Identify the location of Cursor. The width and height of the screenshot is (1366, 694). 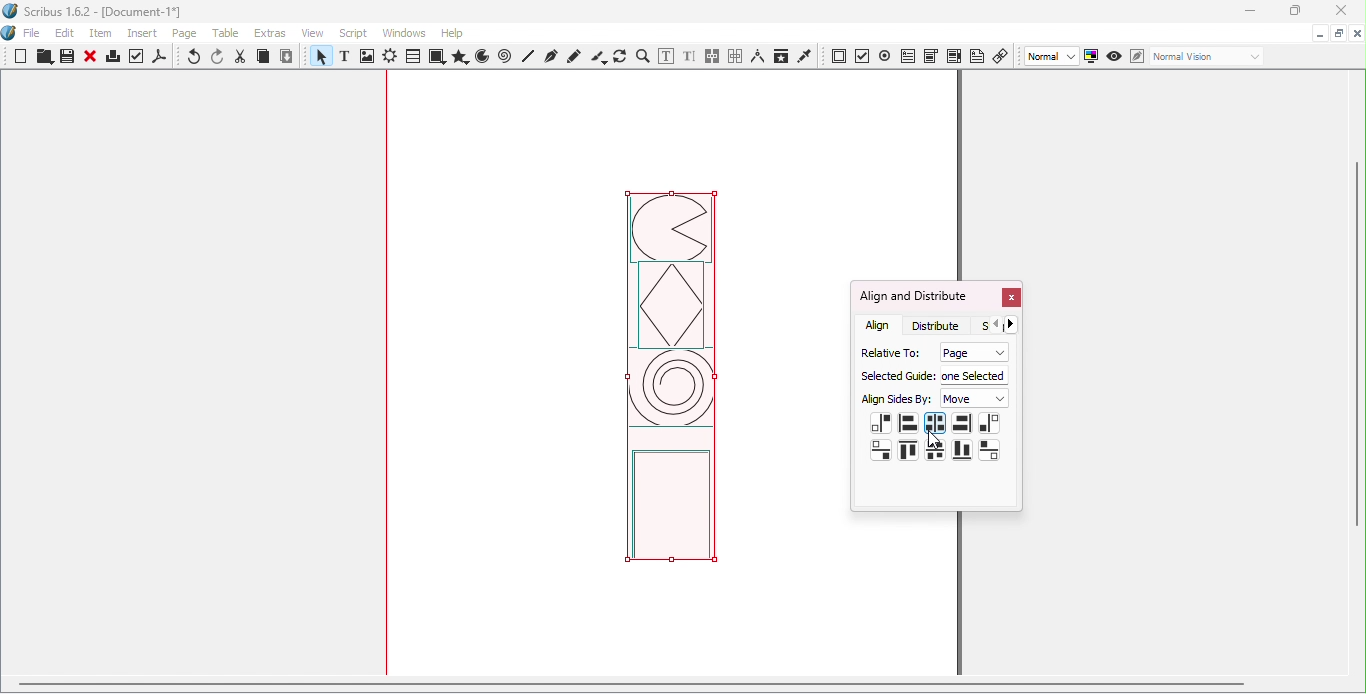
(935, 438).